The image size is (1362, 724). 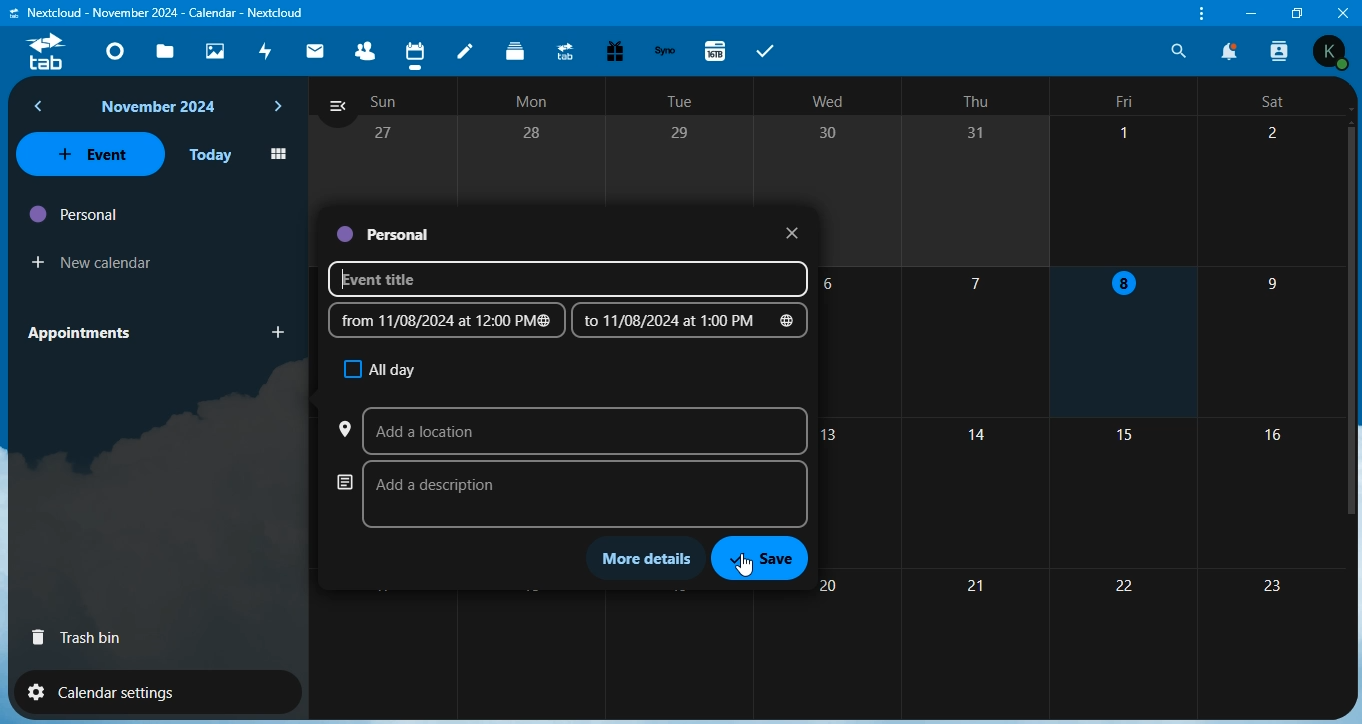 What do you see at coordinates (264, 51) in the screenshot?
I see `activity` at bounding box center [264, 51].